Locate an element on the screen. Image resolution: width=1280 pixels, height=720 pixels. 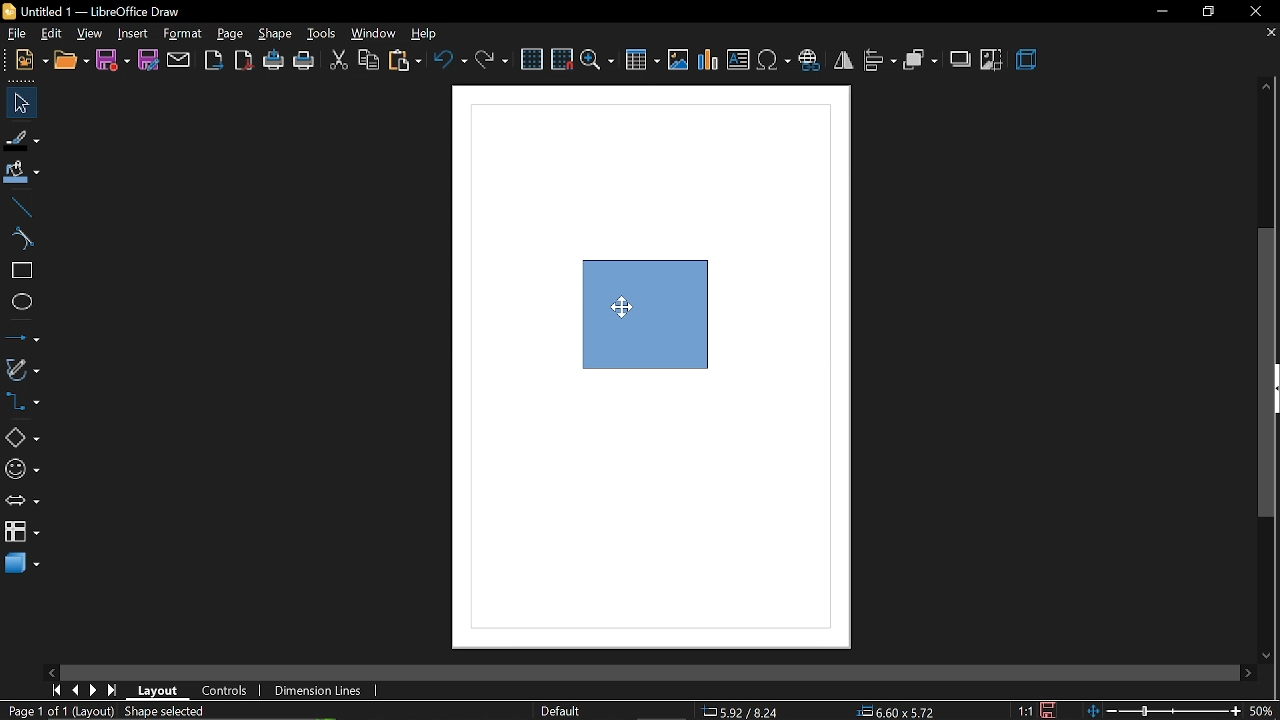
Rectangle is located at coordinates (633, 362).